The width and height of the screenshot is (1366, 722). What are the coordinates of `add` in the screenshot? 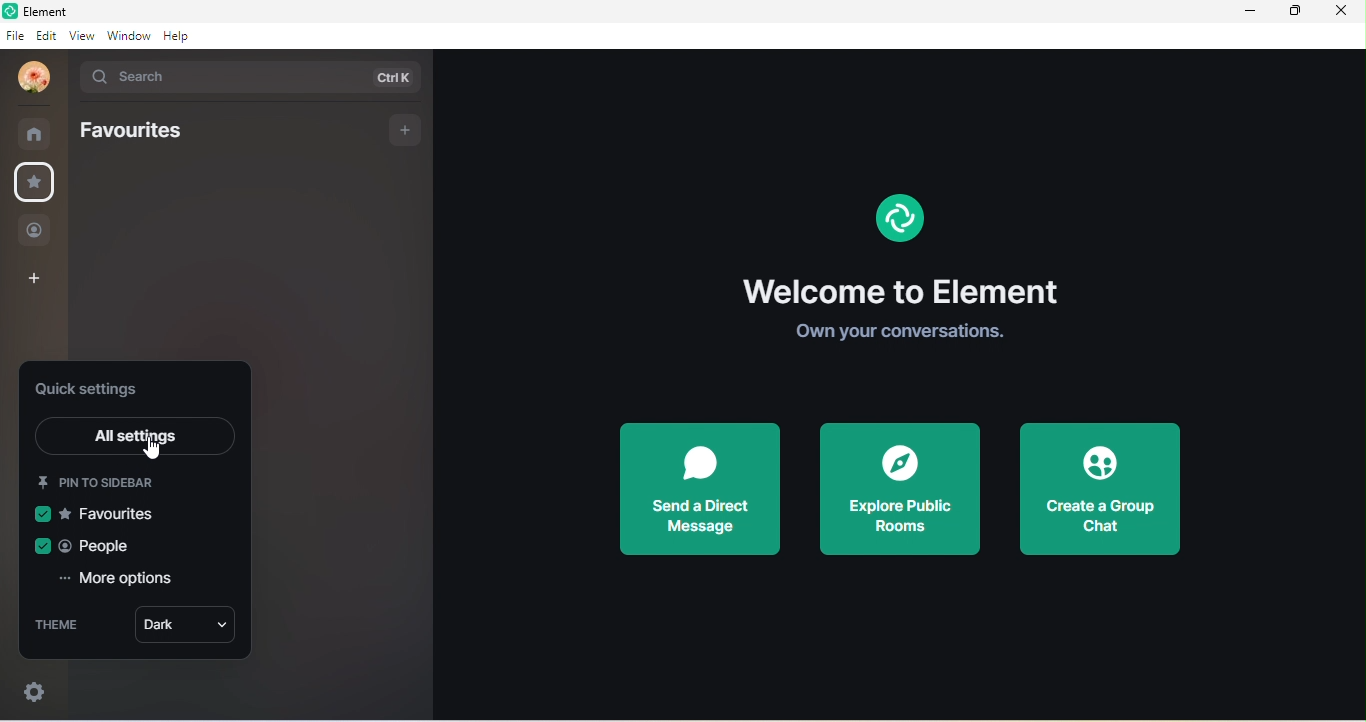 It's located at (403, 129).